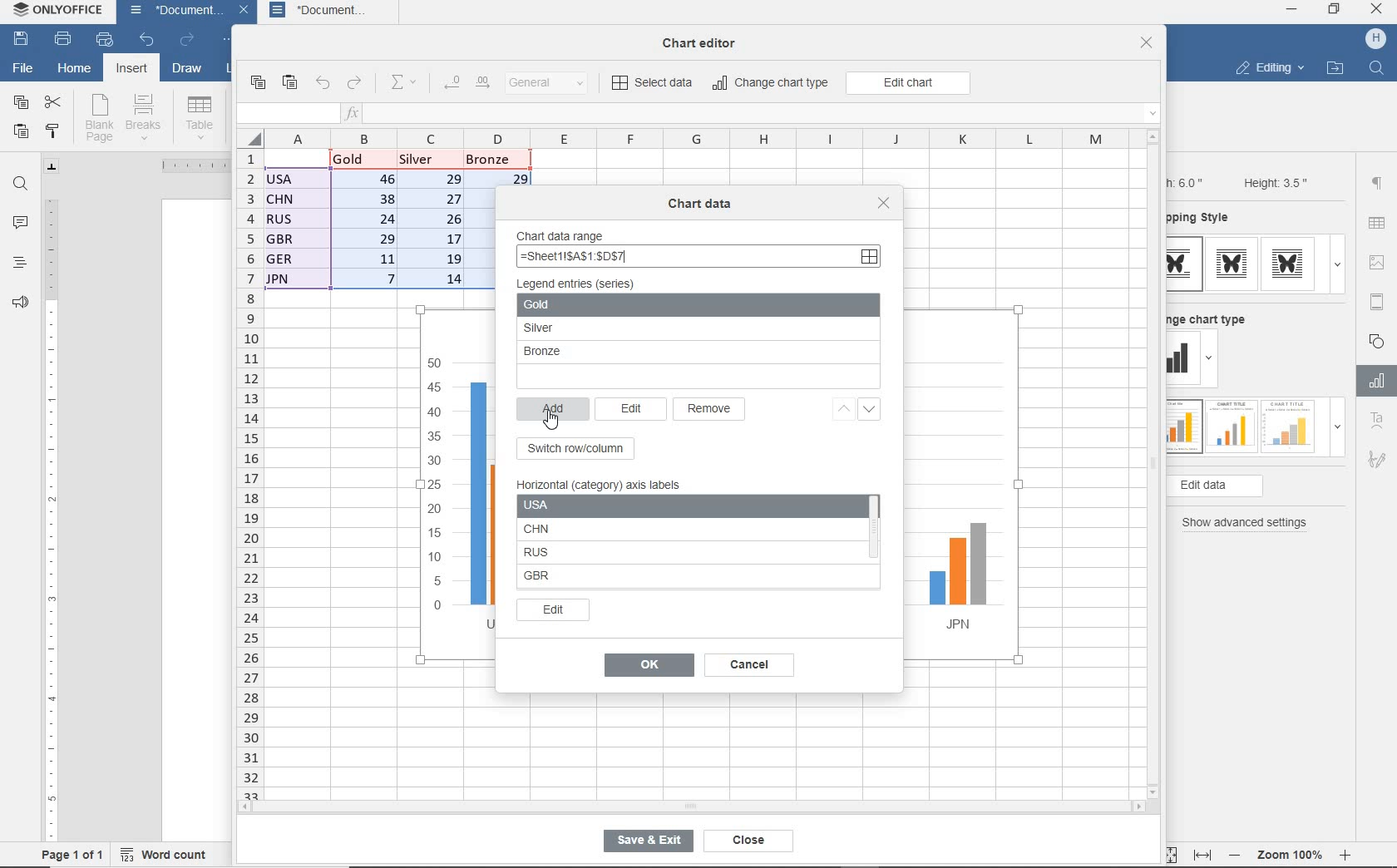  I want to click on copy style, so click(54, 131).